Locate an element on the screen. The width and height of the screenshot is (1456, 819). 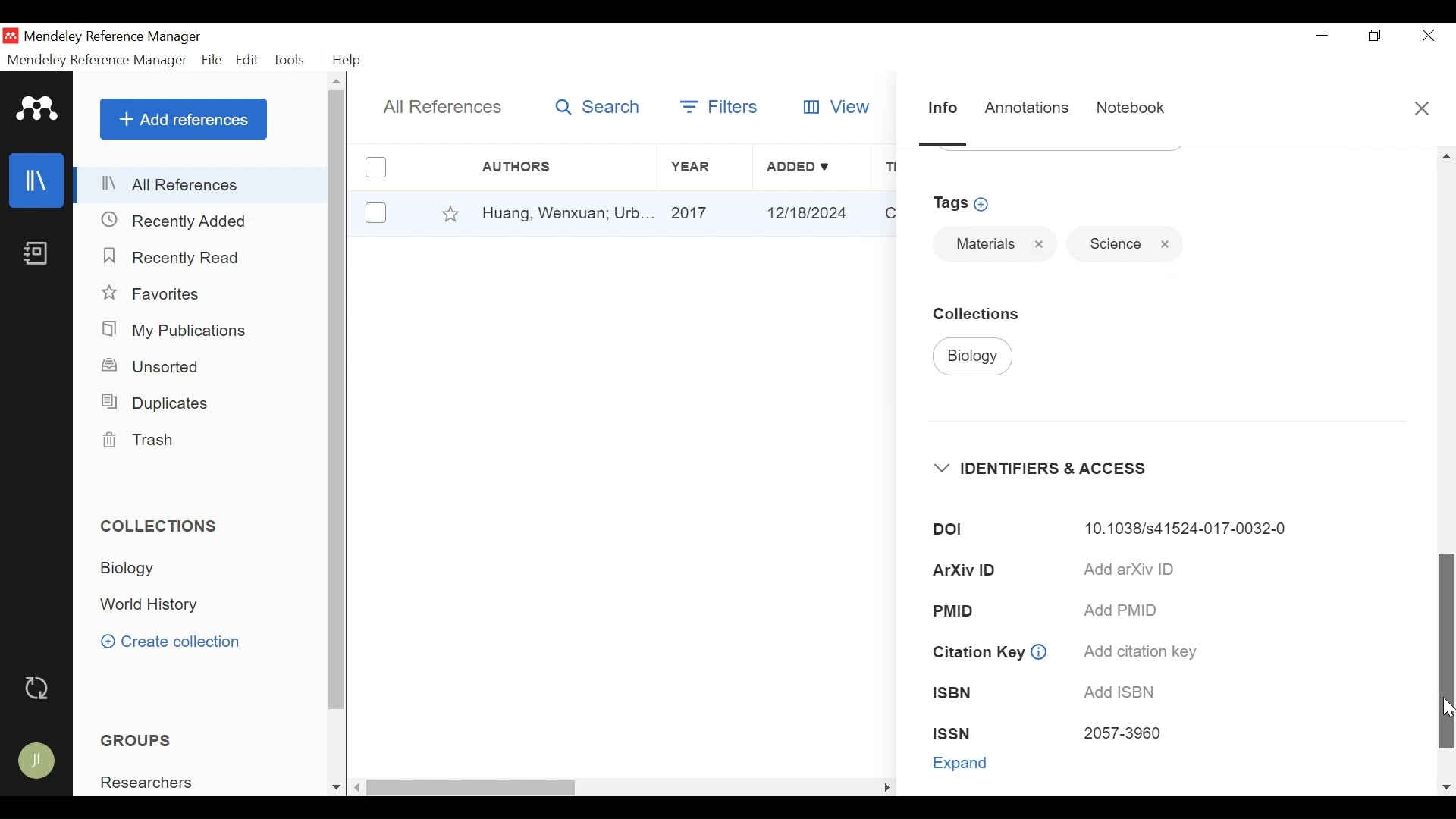
ArXiv ID is located at coordinates (968, 570).